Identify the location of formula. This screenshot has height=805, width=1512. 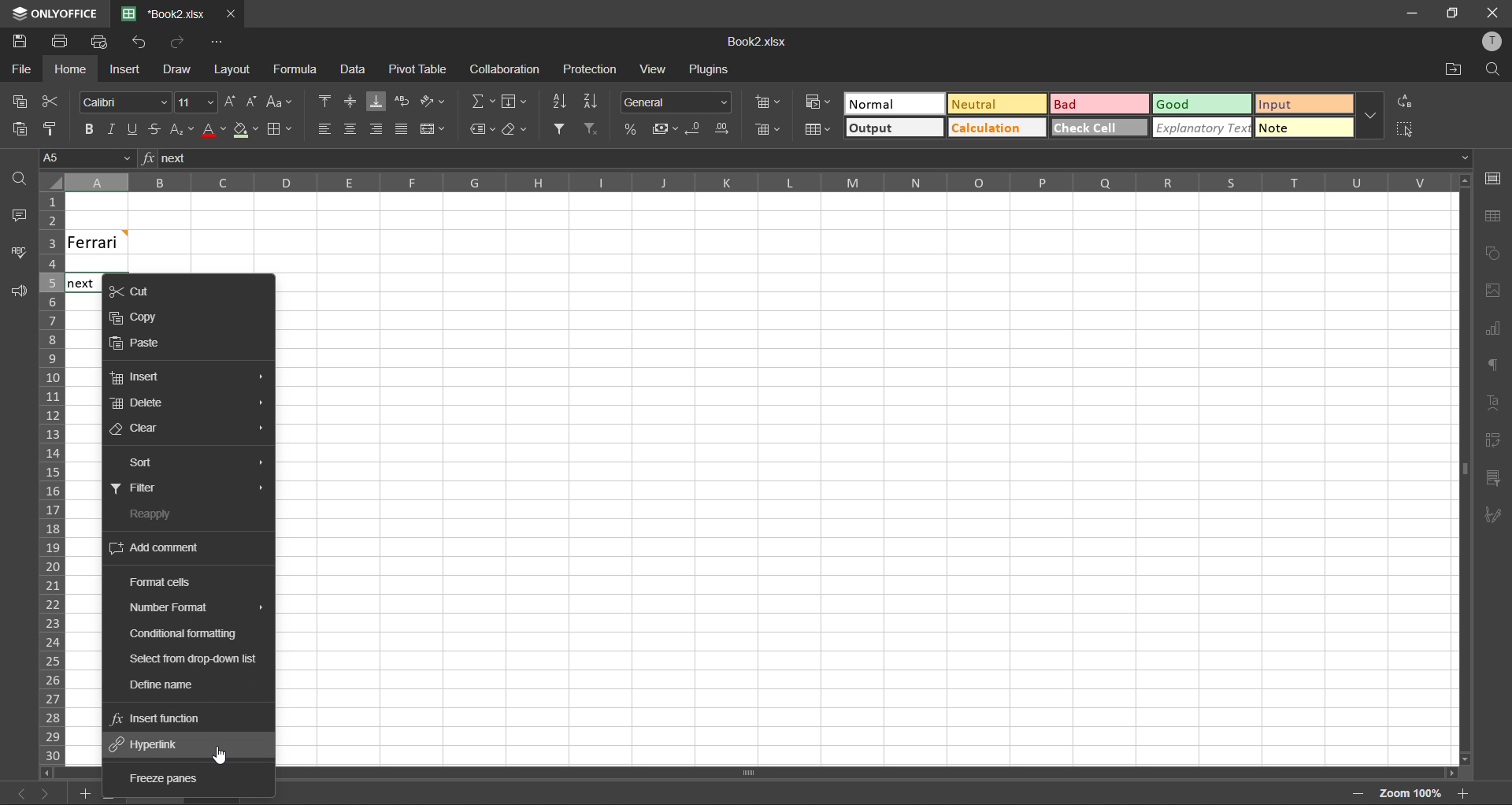
(298, 71).